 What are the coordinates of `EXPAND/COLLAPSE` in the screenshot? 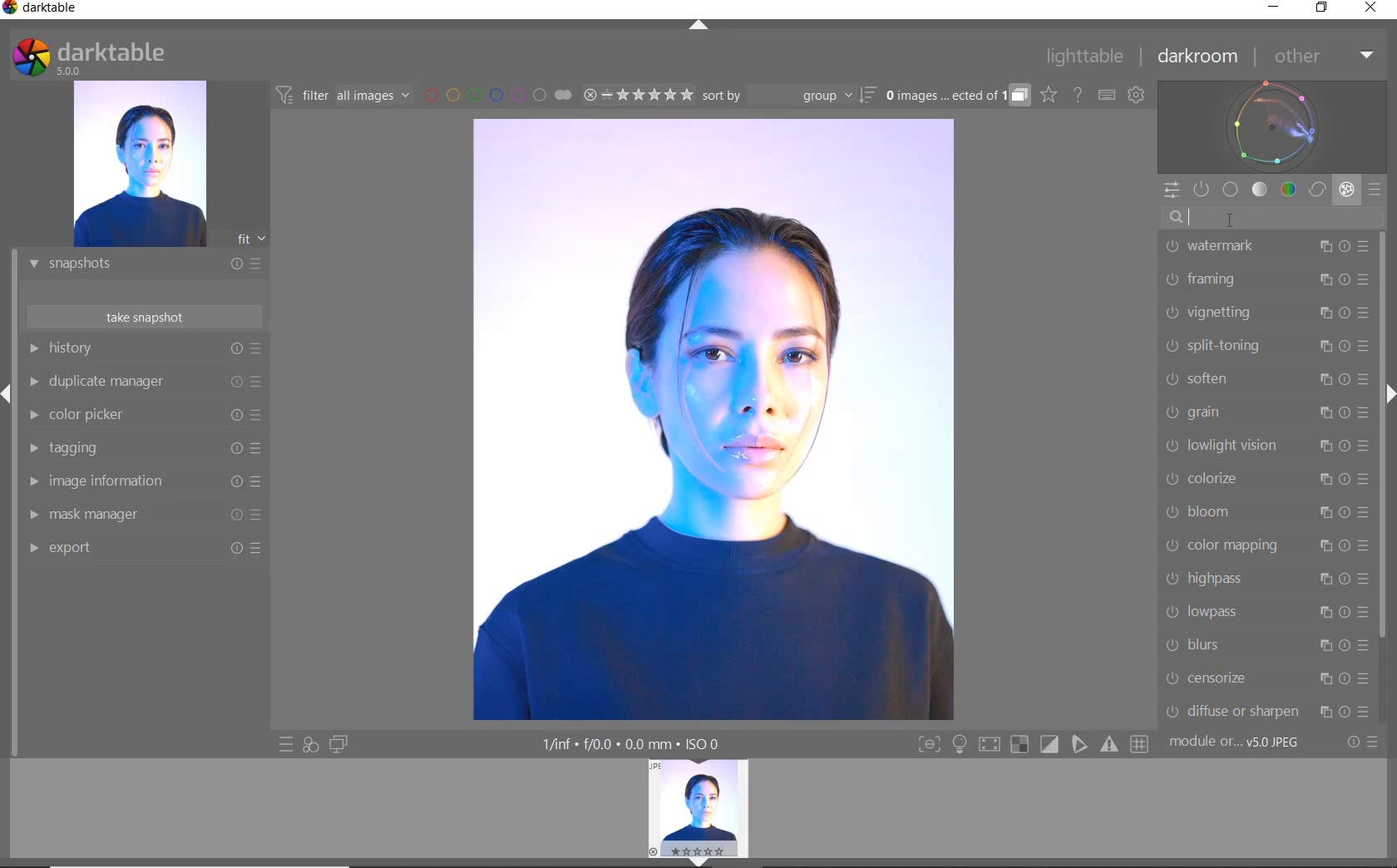 It's located at (701, 27).